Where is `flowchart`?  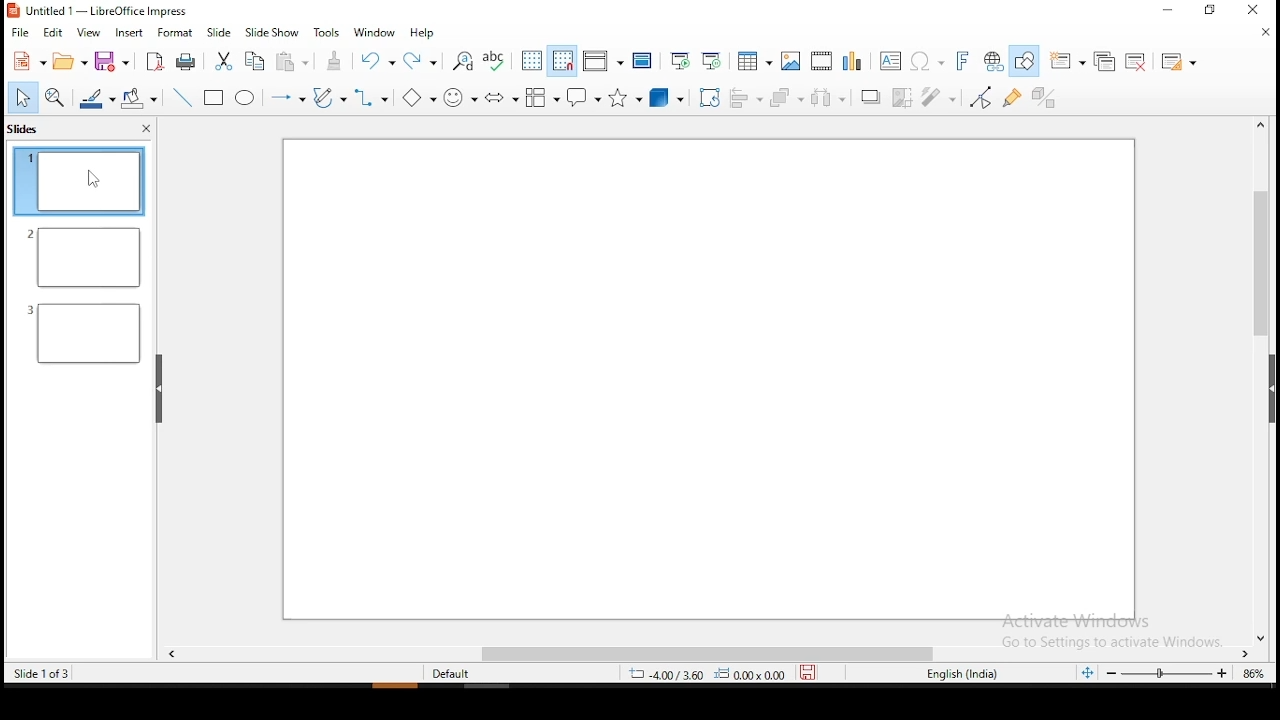
flowchart is located at coordinates (543, 99).